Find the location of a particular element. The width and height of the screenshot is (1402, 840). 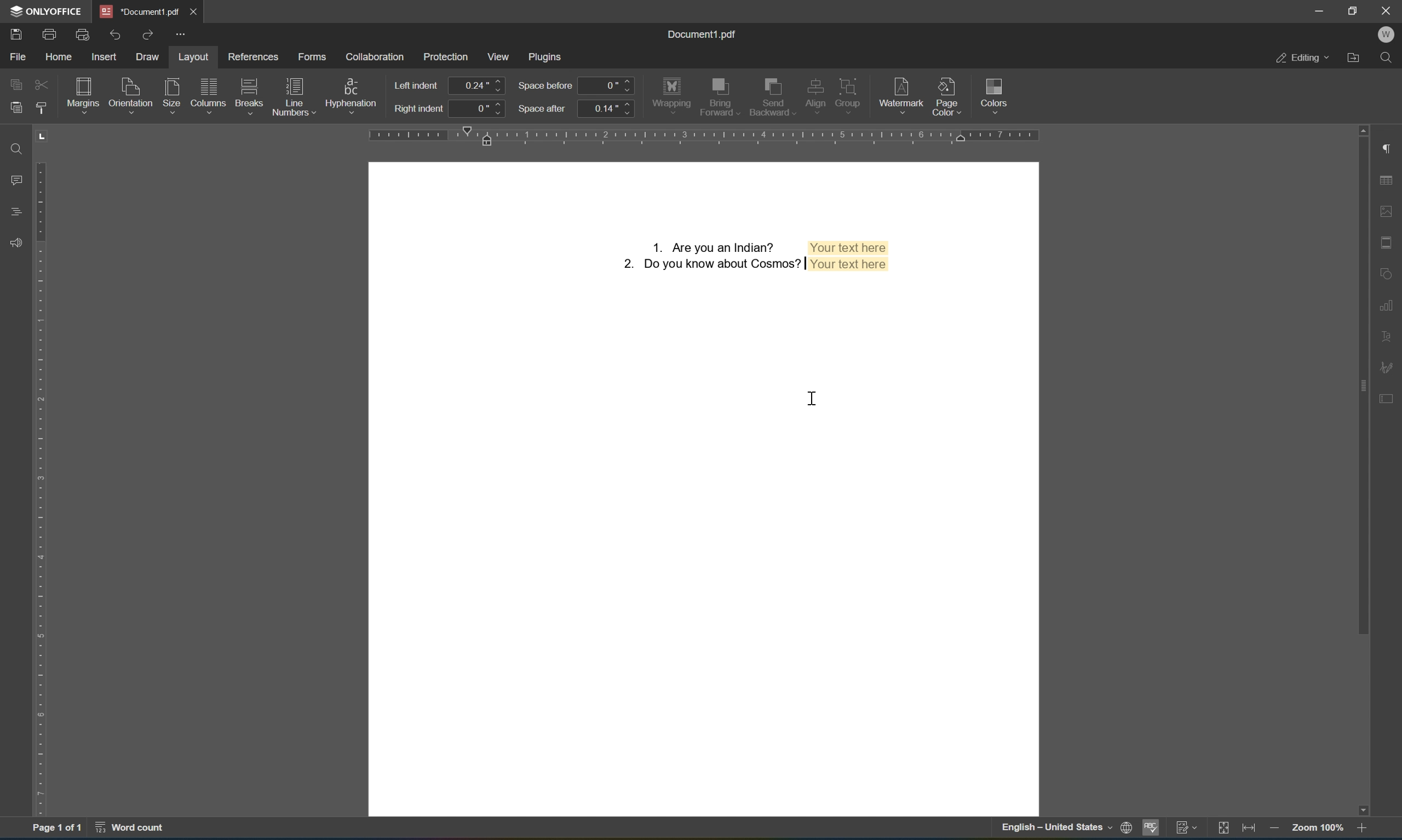

draw is located at coordinates (145, 57).